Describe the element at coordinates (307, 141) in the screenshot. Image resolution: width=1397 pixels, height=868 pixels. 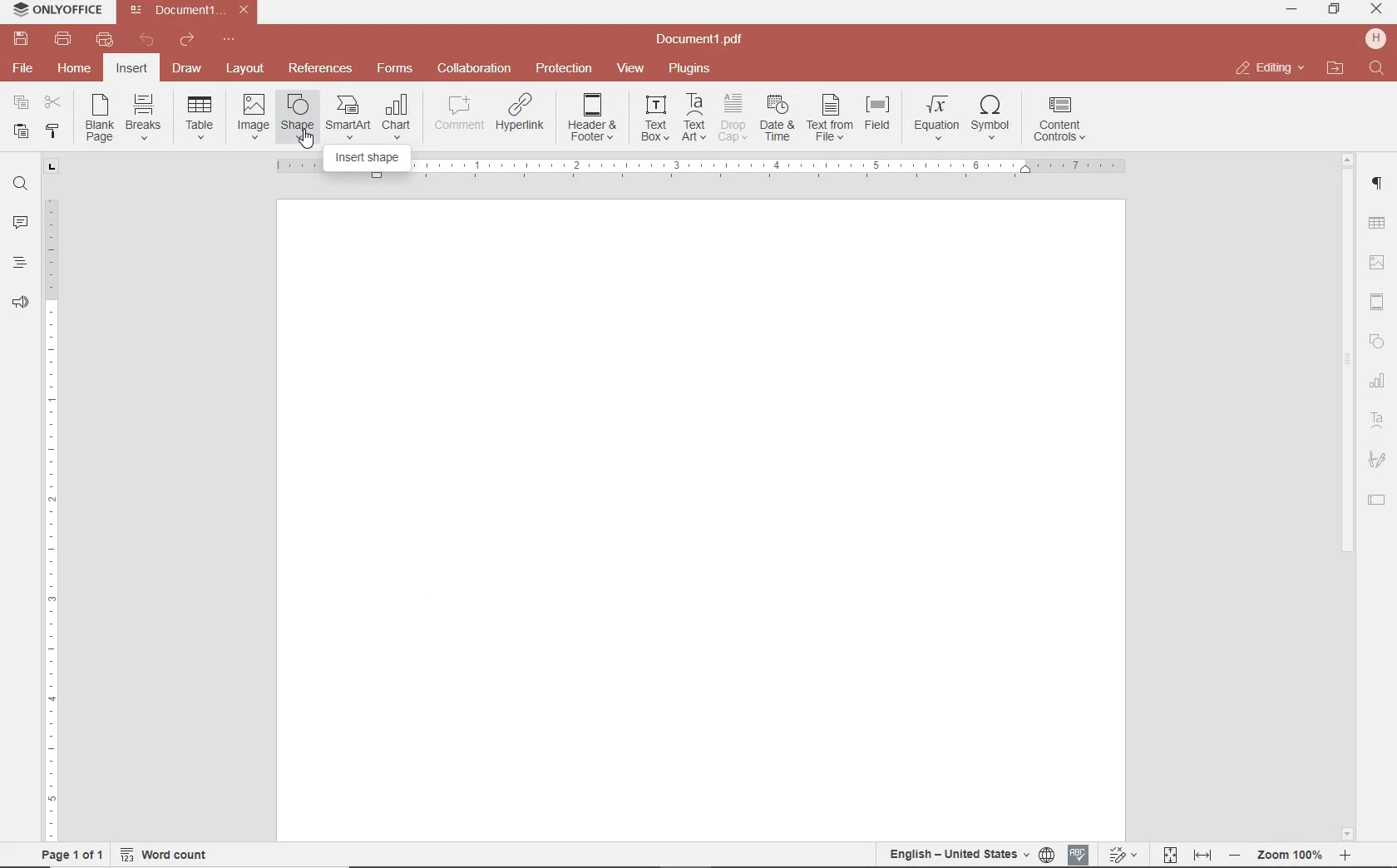
I see `cursor` at that location.